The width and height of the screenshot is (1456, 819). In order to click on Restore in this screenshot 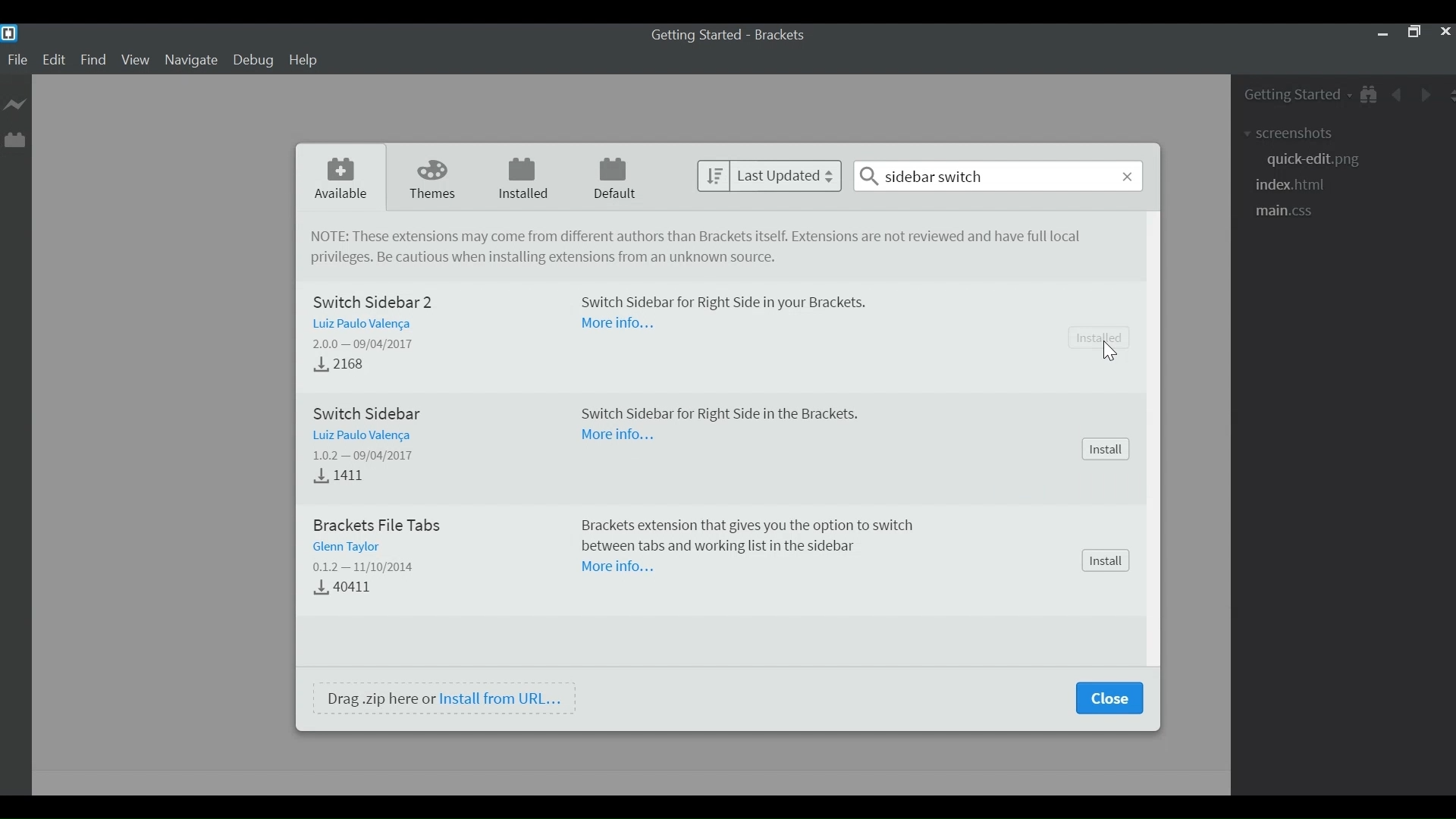, I will do `click(1414, 33)`.